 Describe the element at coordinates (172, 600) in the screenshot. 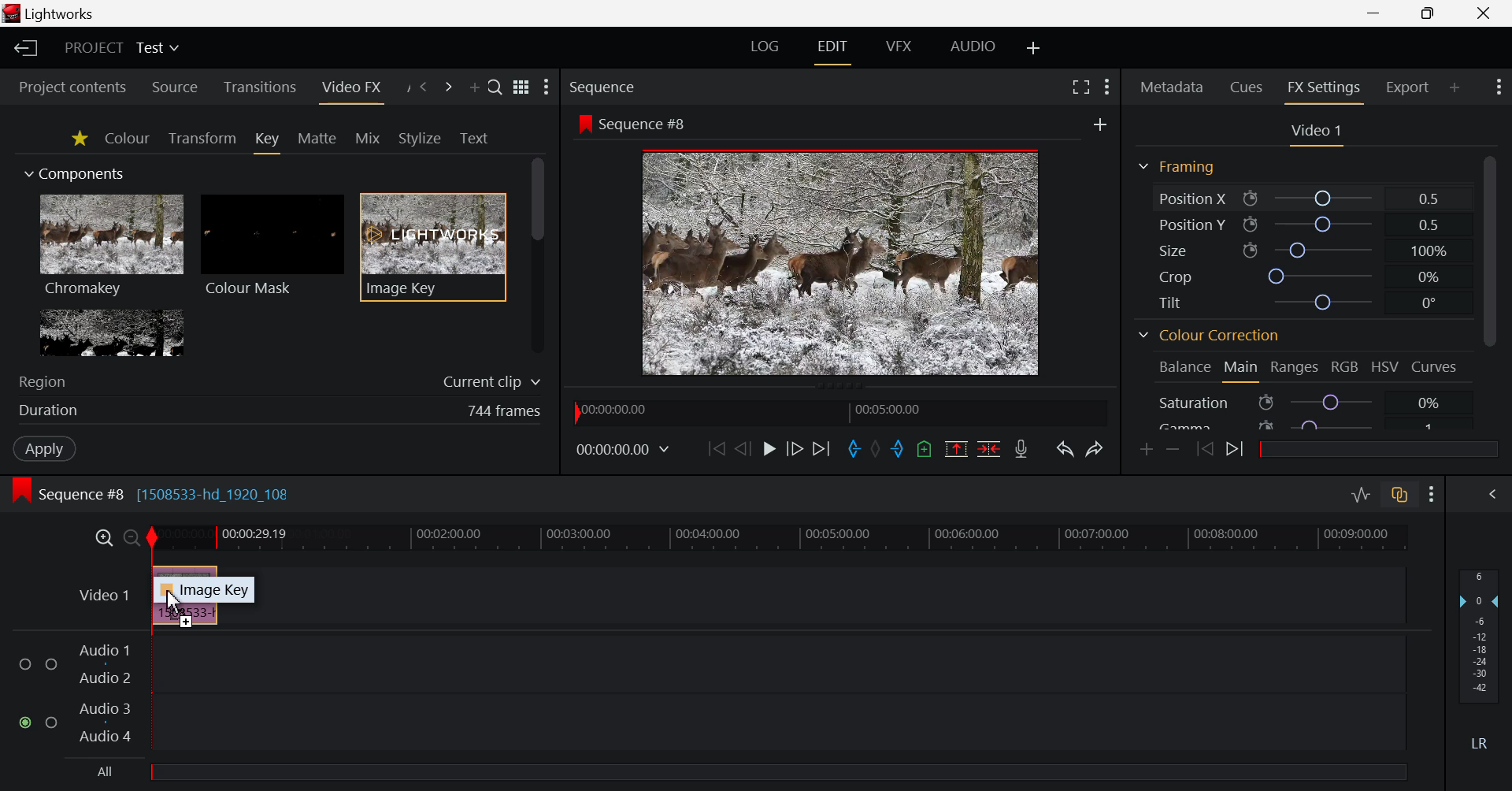

I see `MOUSE_UP Cursor Position` at that location.